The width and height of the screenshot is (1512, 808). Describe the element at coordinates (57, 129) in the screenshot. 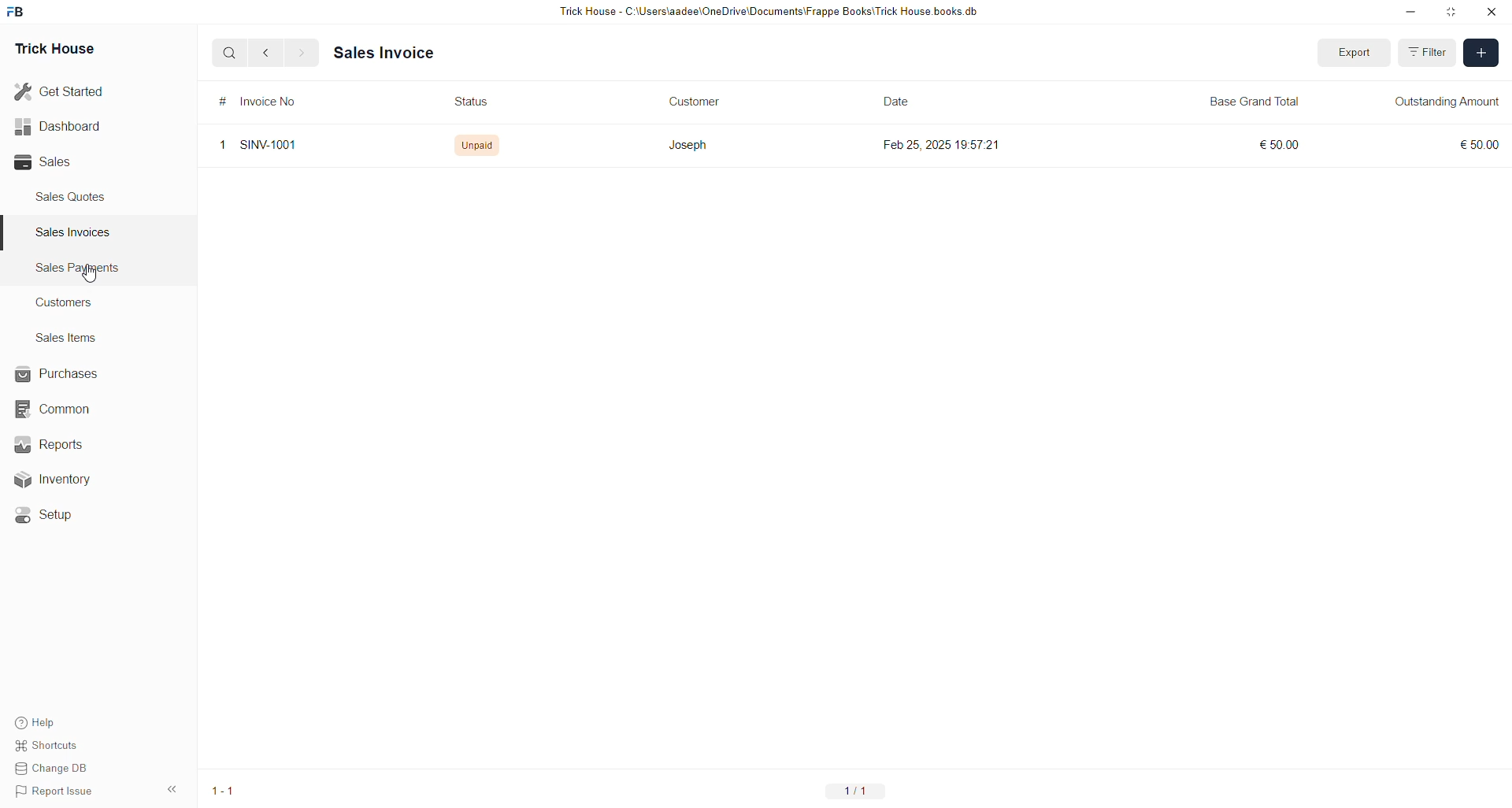

I see `Dashboard` at that location.